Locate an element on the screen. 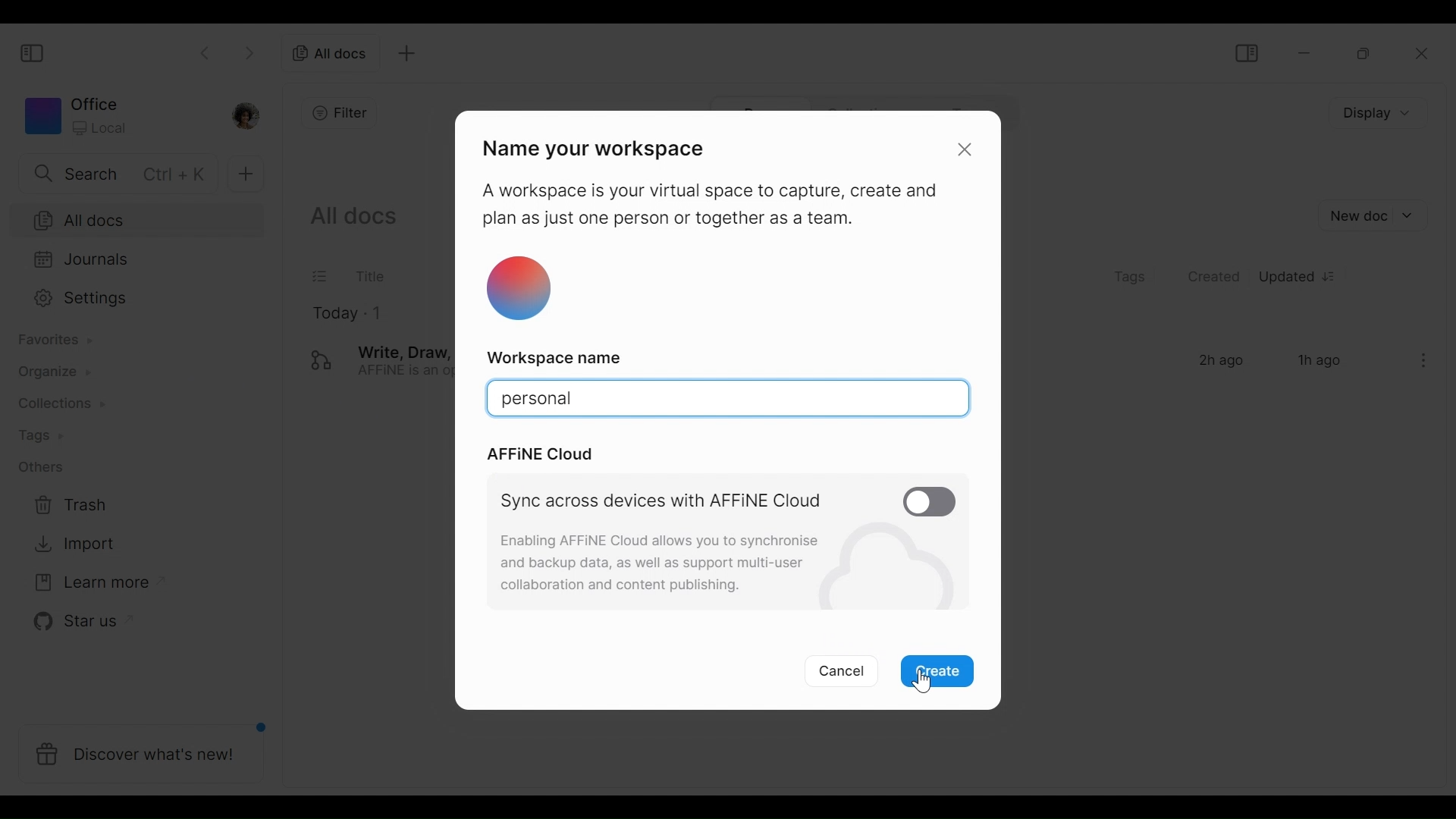  enable/disable is located at coordinates (928, 500).